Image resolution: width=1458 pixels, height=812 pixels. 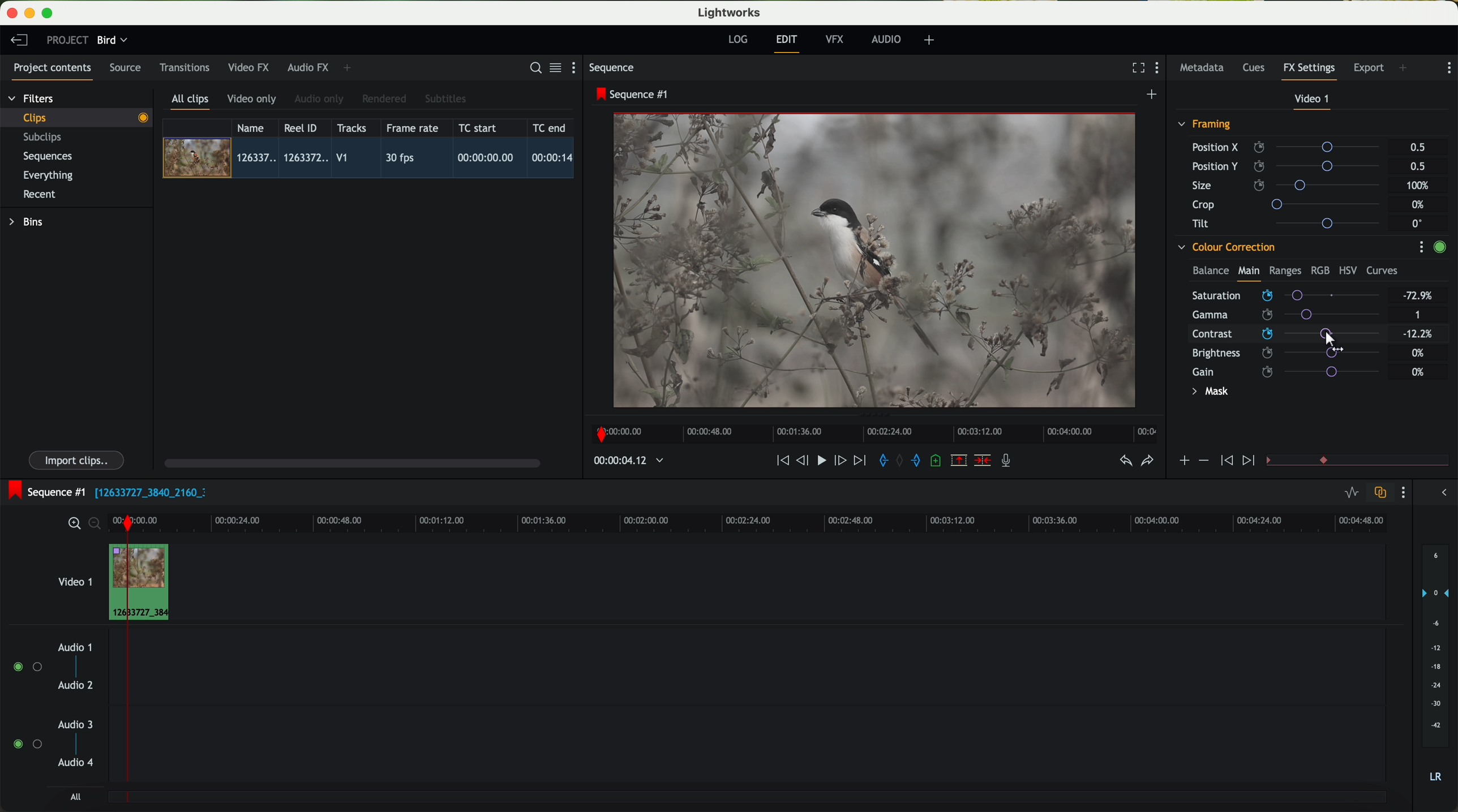 What do you see at coordinates (49, 14) in the screenshot?
I see `maximize program` at bounding box center [49, 14].